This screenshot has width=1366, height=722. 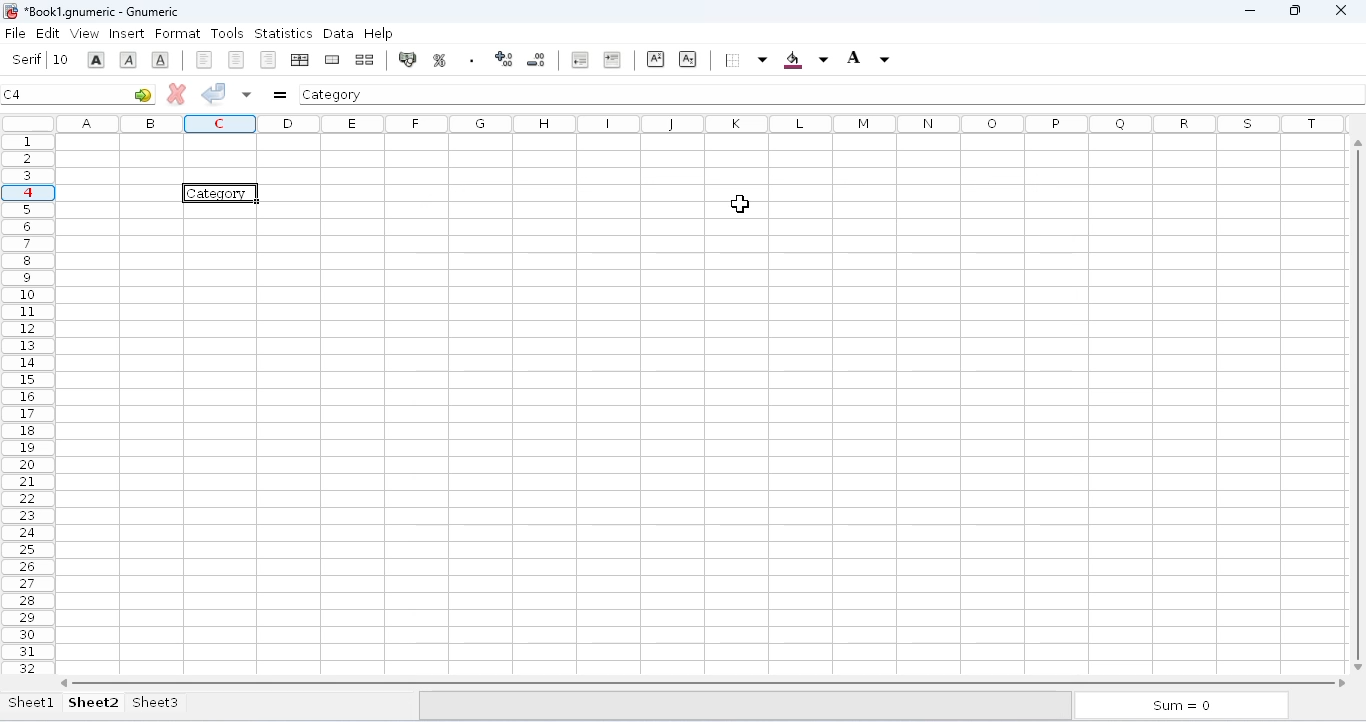 I want to click on close, so click(x=1344, y=10).